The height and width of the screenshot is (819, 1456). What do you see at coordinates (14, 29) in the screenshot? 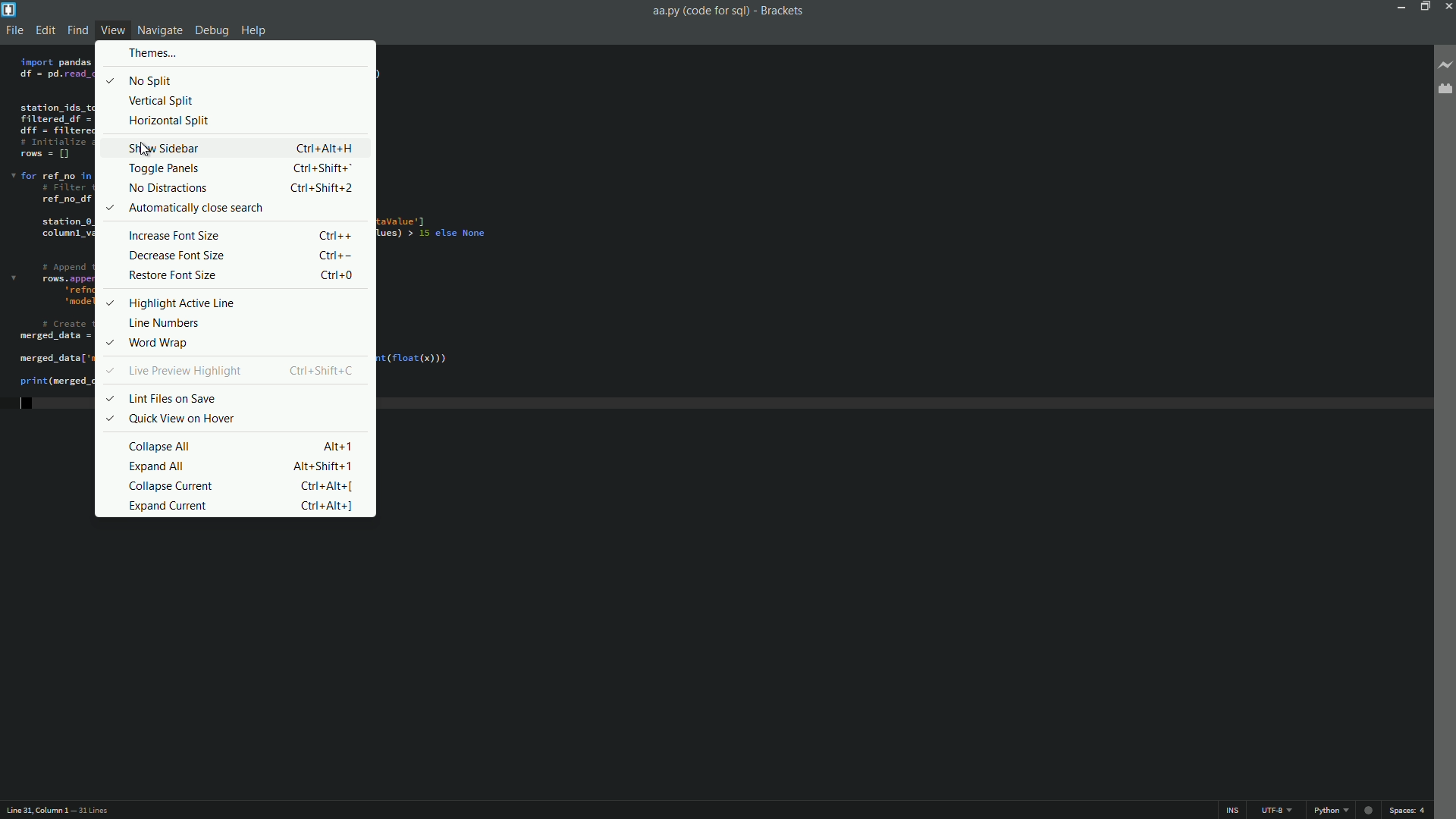
I see `file menu` at bounding box center [14, 29].